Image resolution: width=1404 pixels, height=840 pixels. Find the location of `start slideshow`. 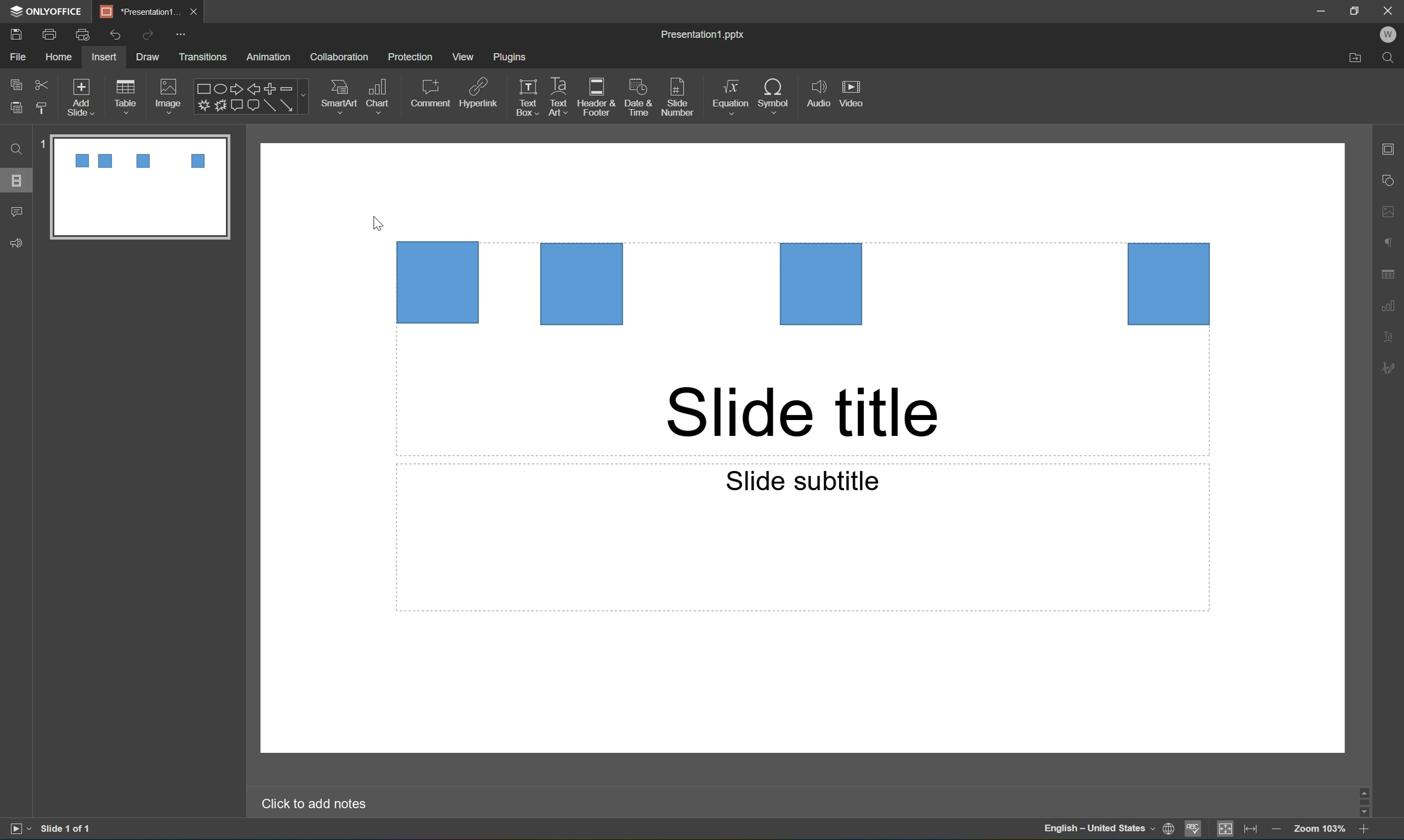

start slideshow is located at coordinates (19, 829).